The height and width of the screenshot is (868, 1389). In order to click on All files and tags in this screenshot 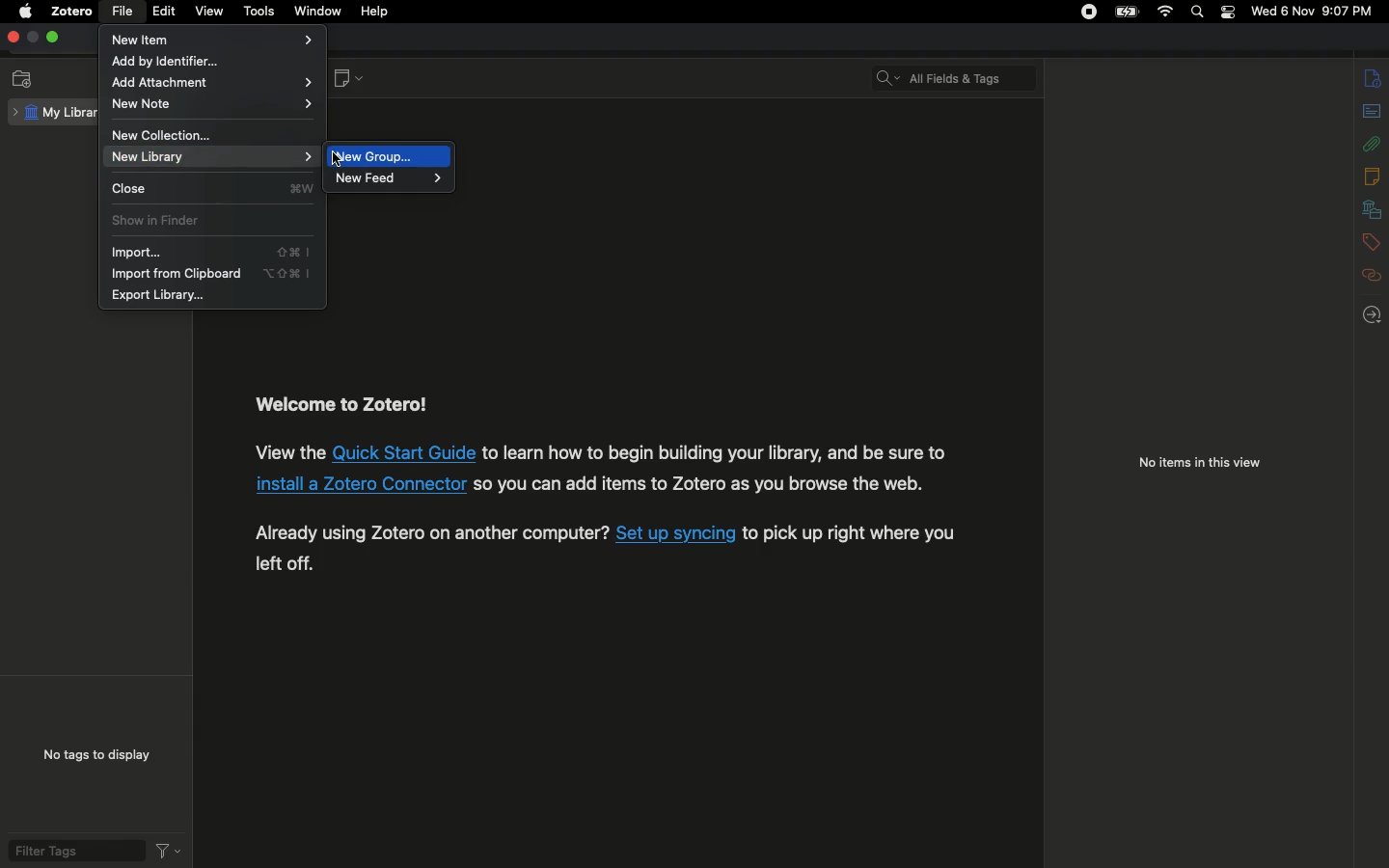, I will do `click(959, 73)`.